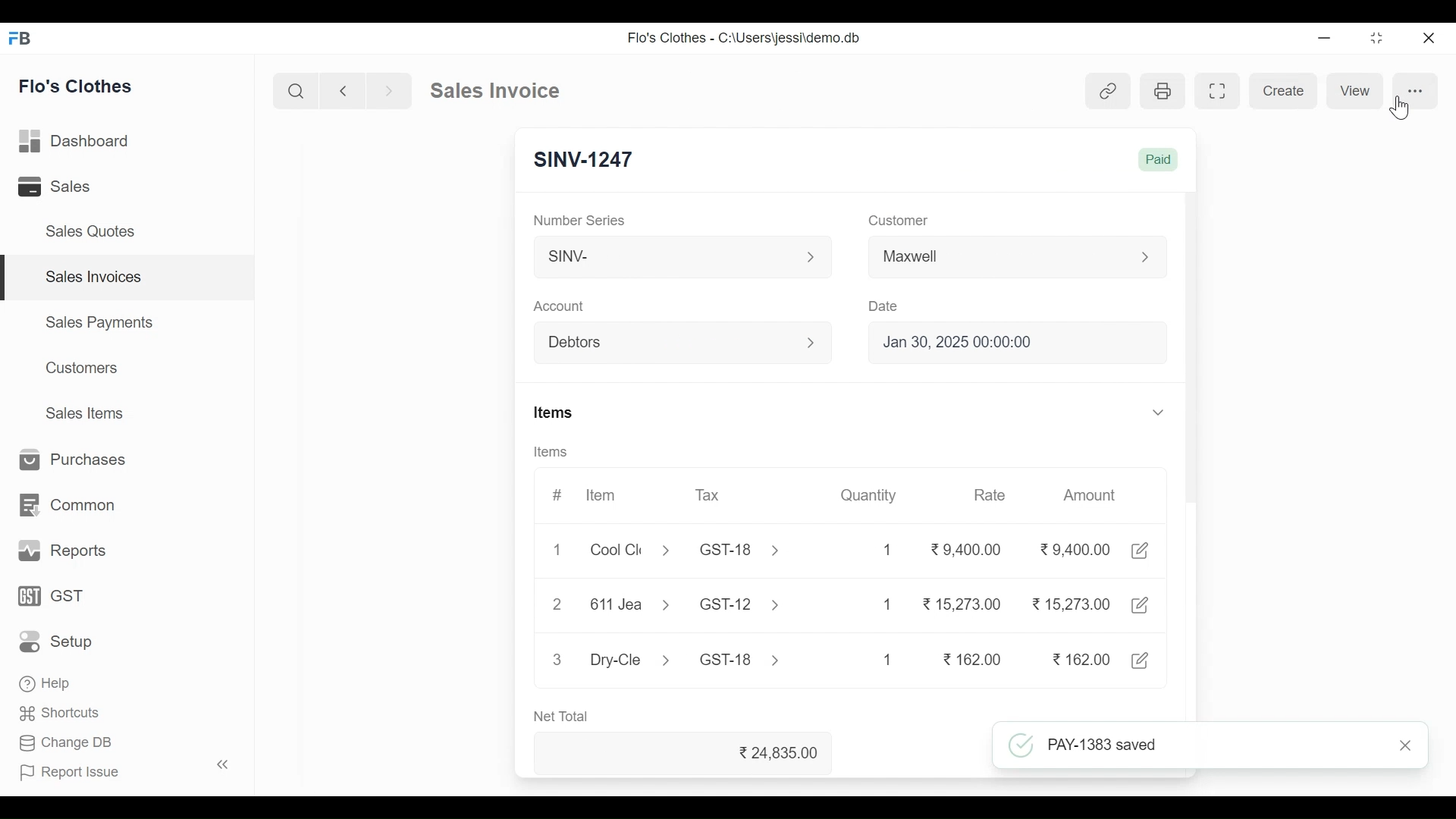 The height and width of the screenshot is (819, 1456). What do you see at coordinates (1189, 359) in the screenshot?
I see `Vertical Scroll bar` at bounding box center [1189, 359].